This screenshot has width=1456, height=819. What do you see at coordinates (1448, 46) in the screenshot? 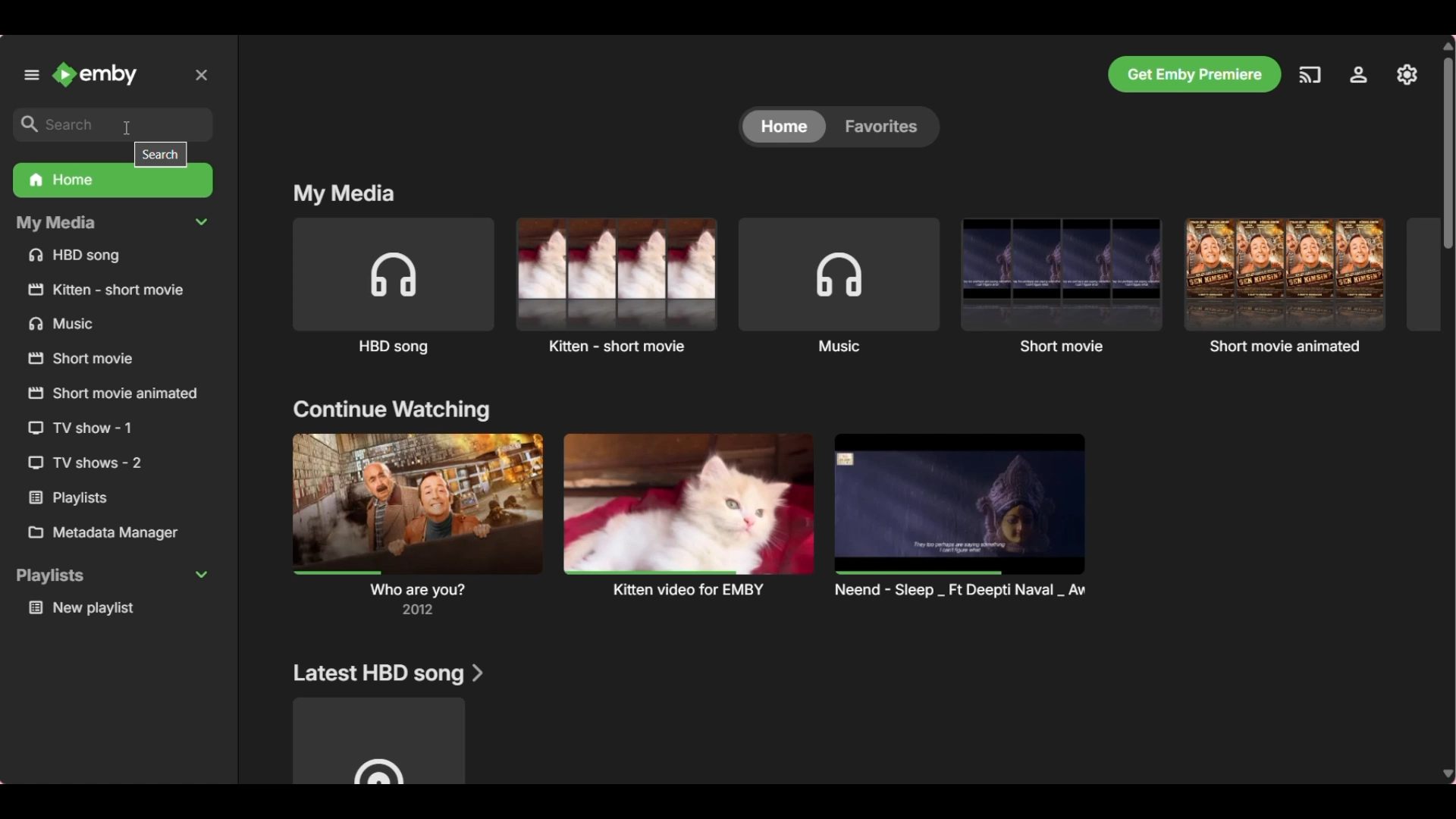
I see `Quick slide to top` at bounding box center [1448, 46].